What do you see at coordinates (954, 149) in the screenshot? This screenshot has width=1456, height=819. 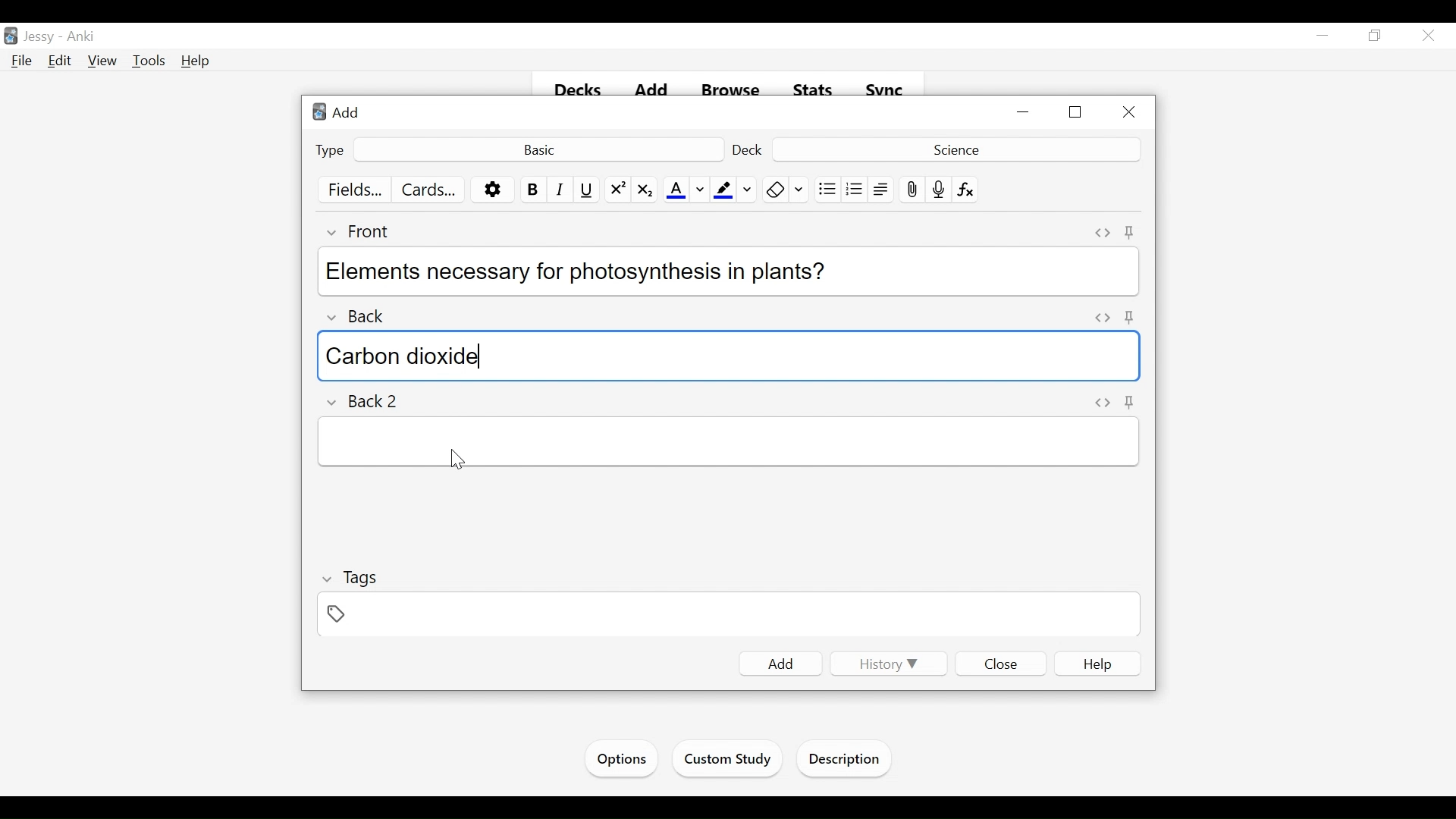 I see `Deck` at bounding box center [954, 149].